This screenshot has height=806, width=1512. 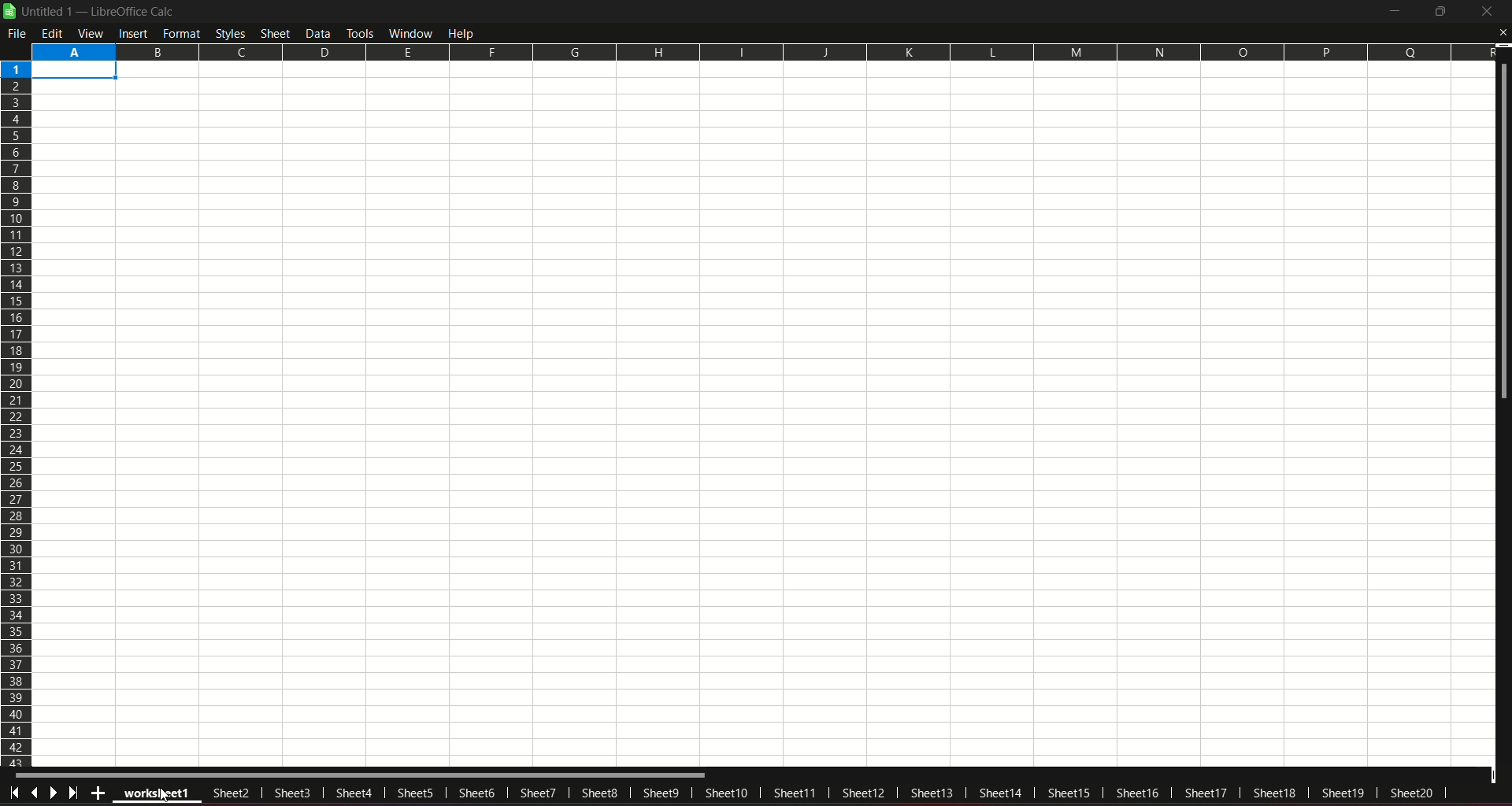 I want to click on view, so click(x=91, y=33).